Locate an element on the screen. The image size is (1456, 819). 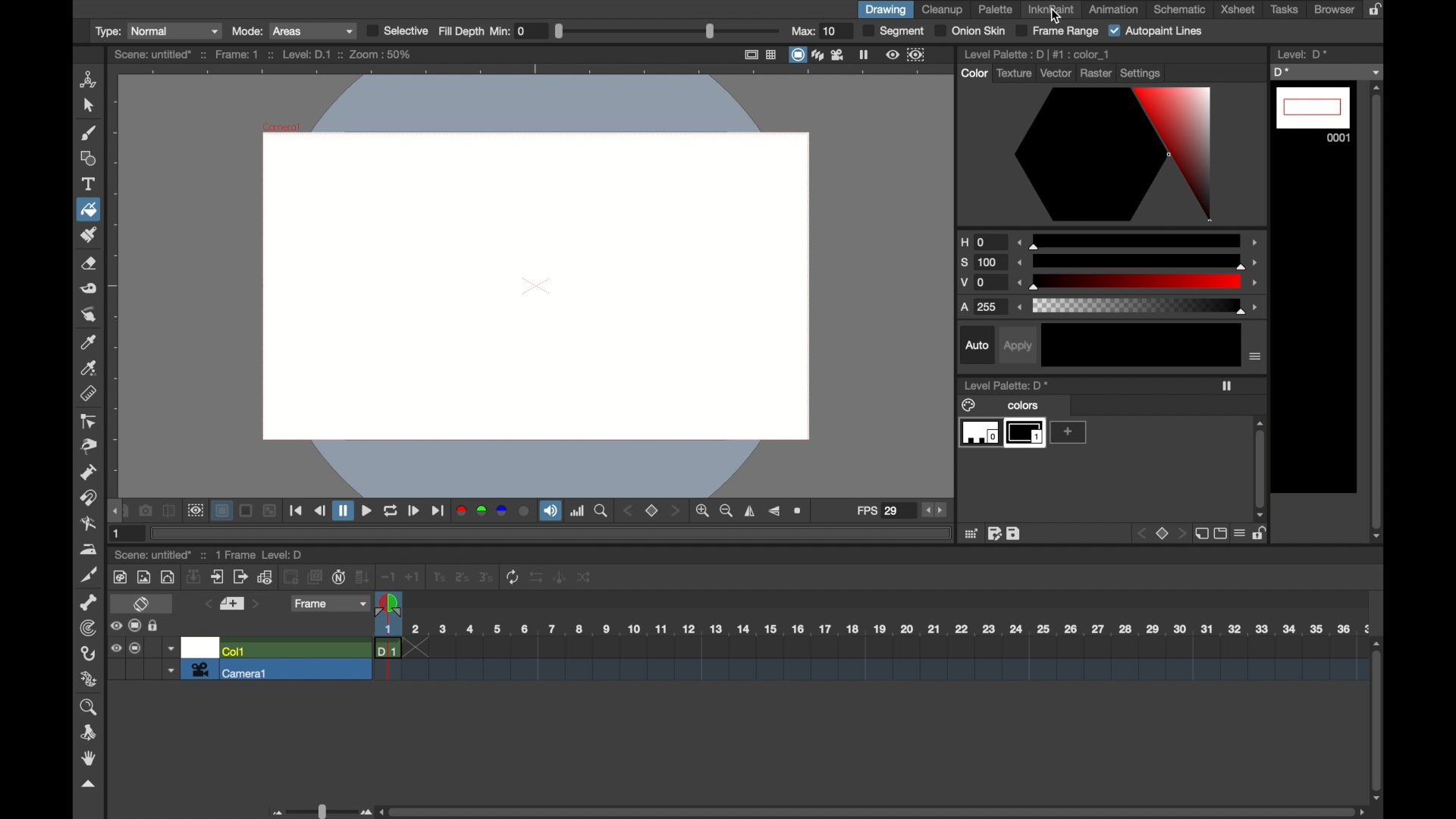
selection tool is located at coordinates (87, 106).